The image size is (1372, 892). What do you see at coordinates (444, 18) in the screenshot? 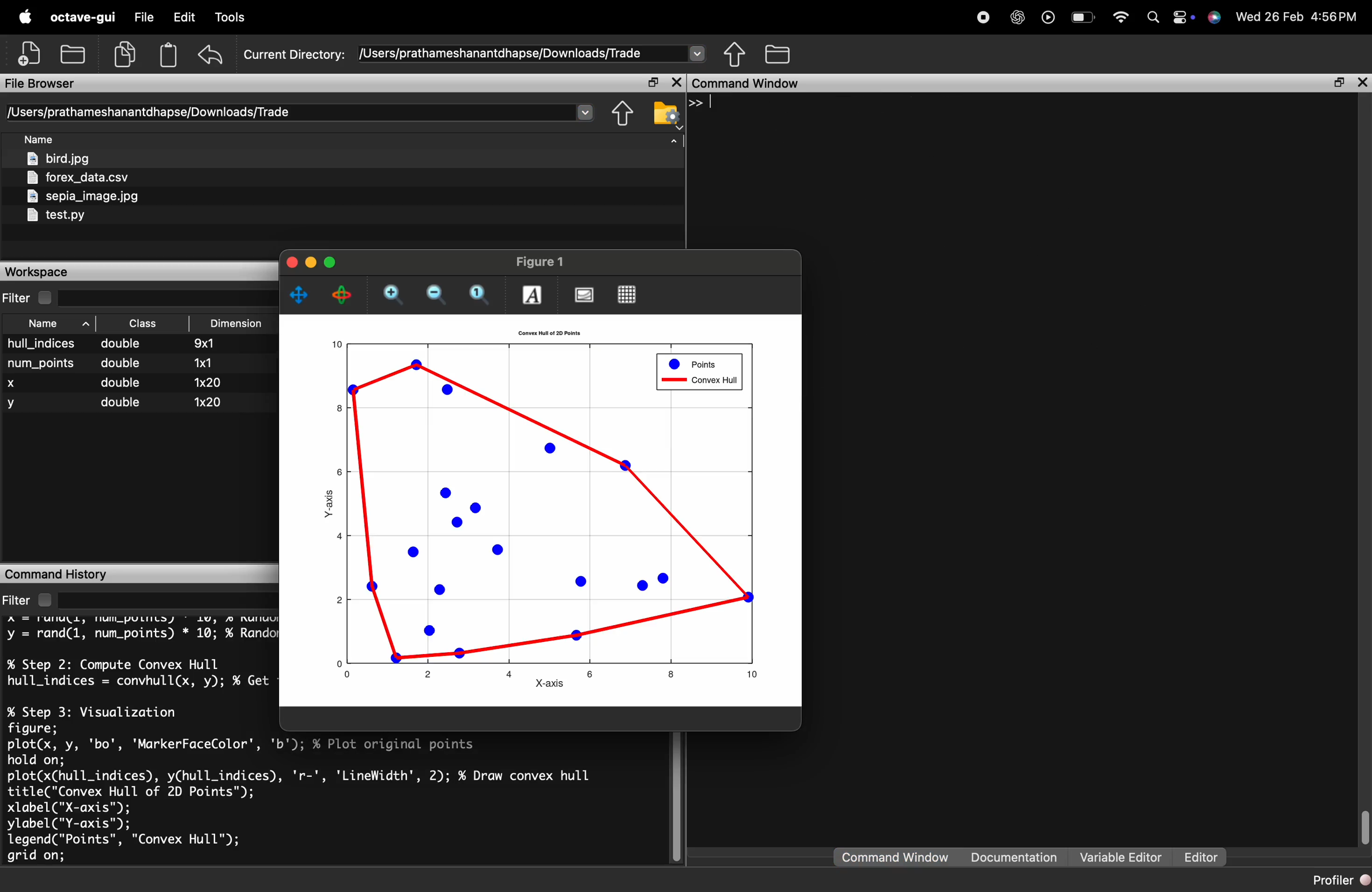
I see `News` at bounding box center [444, 18].